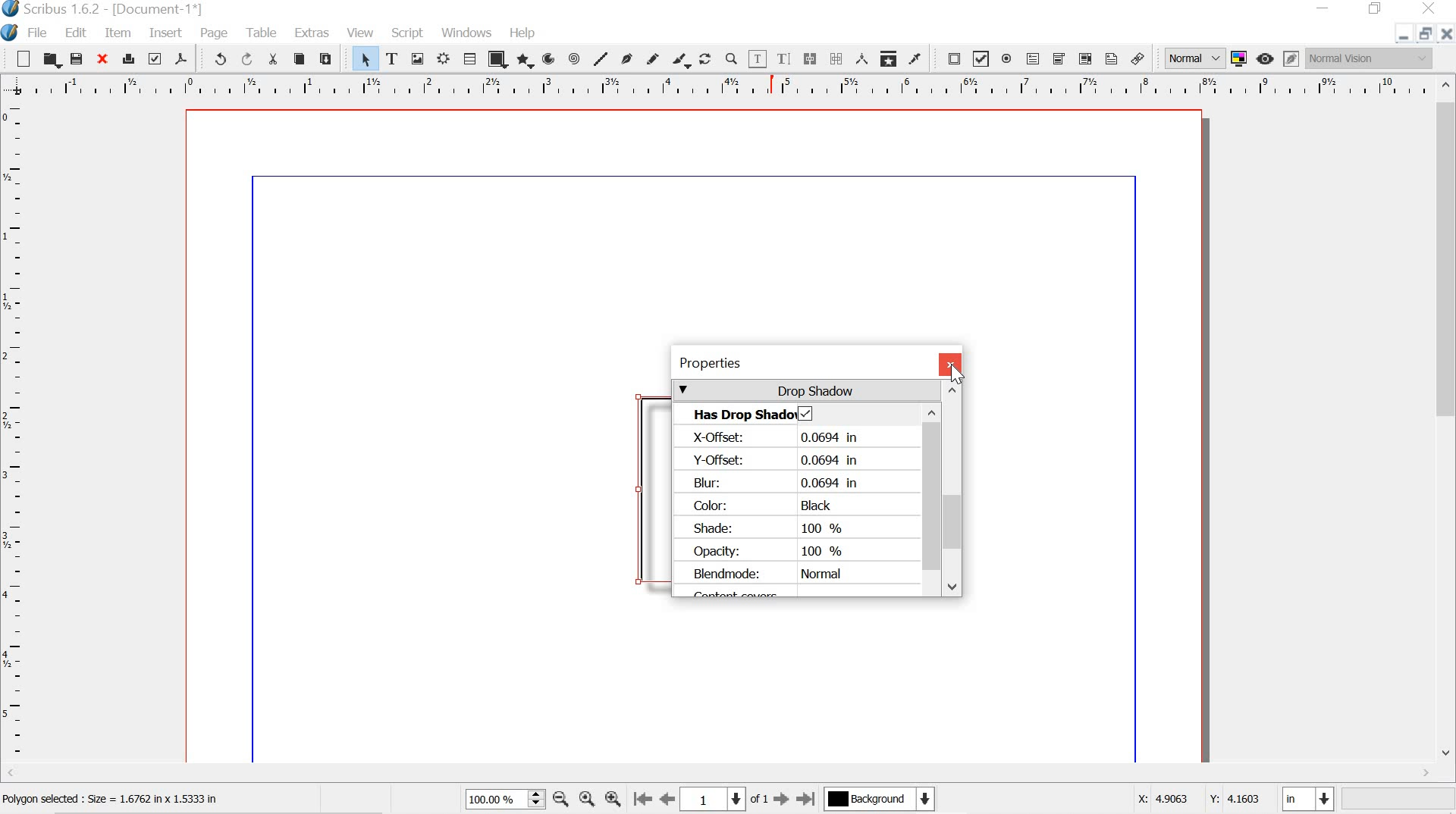  Describe the element at coordinates (777, 459) in the screenshot. I see `Y-Offset: 0.0694 in` at that location.